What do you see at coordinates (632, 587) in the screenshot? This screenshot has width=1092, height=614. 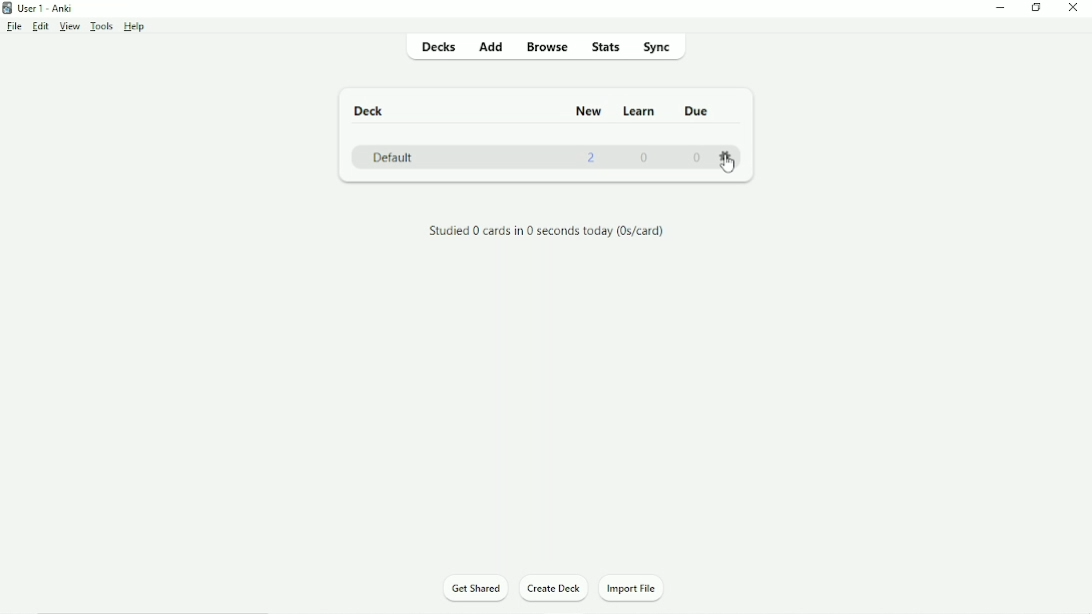 I see `Import File` at bounding box center [632, 587].